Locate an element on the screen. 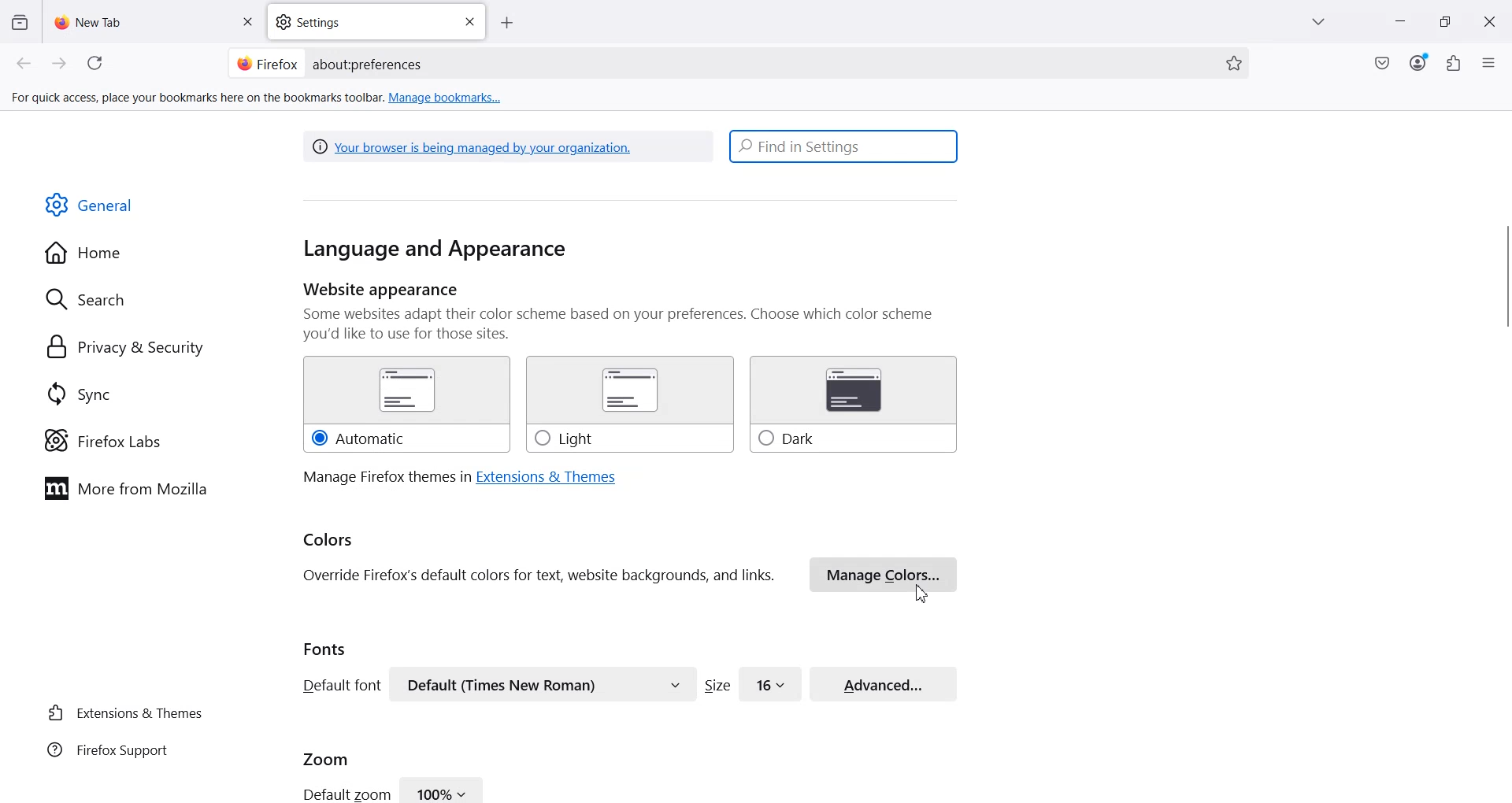 This screenshot has height=803, width=1512. Hamburger menu is located at coordinates (1491, 64).